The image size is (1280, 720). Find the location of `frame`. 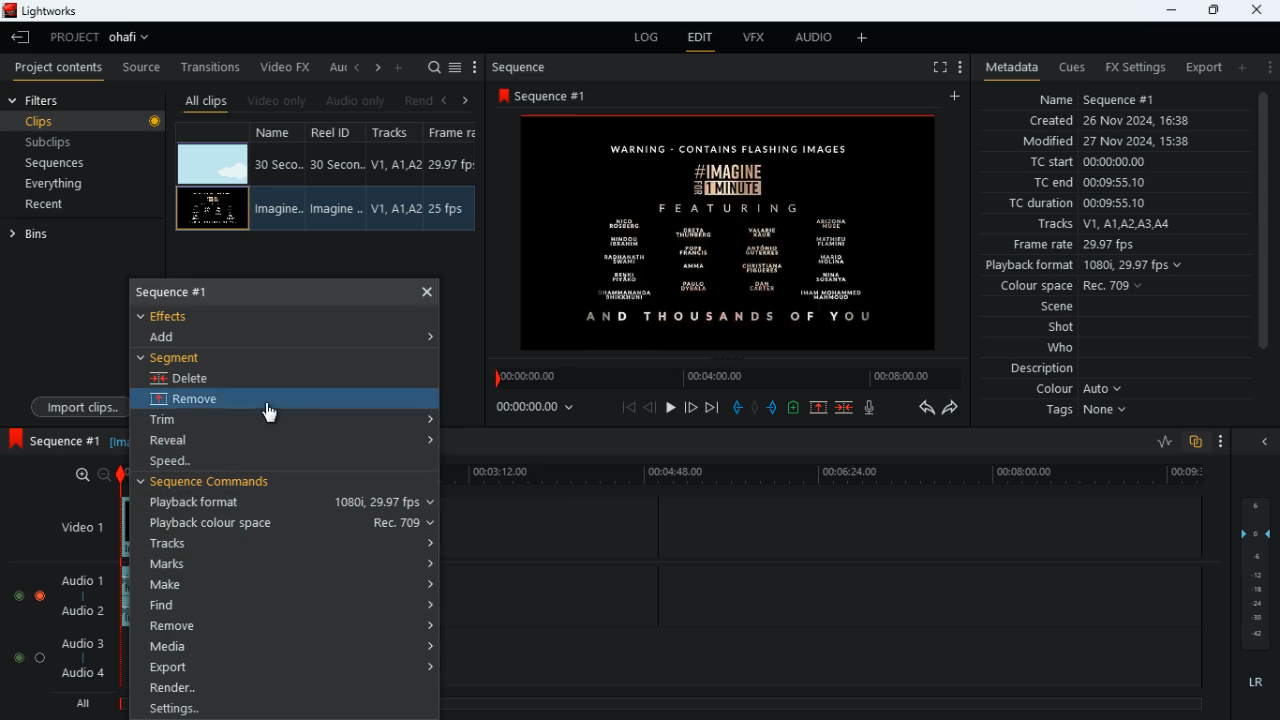

frame is located at coordinates (454, 179).